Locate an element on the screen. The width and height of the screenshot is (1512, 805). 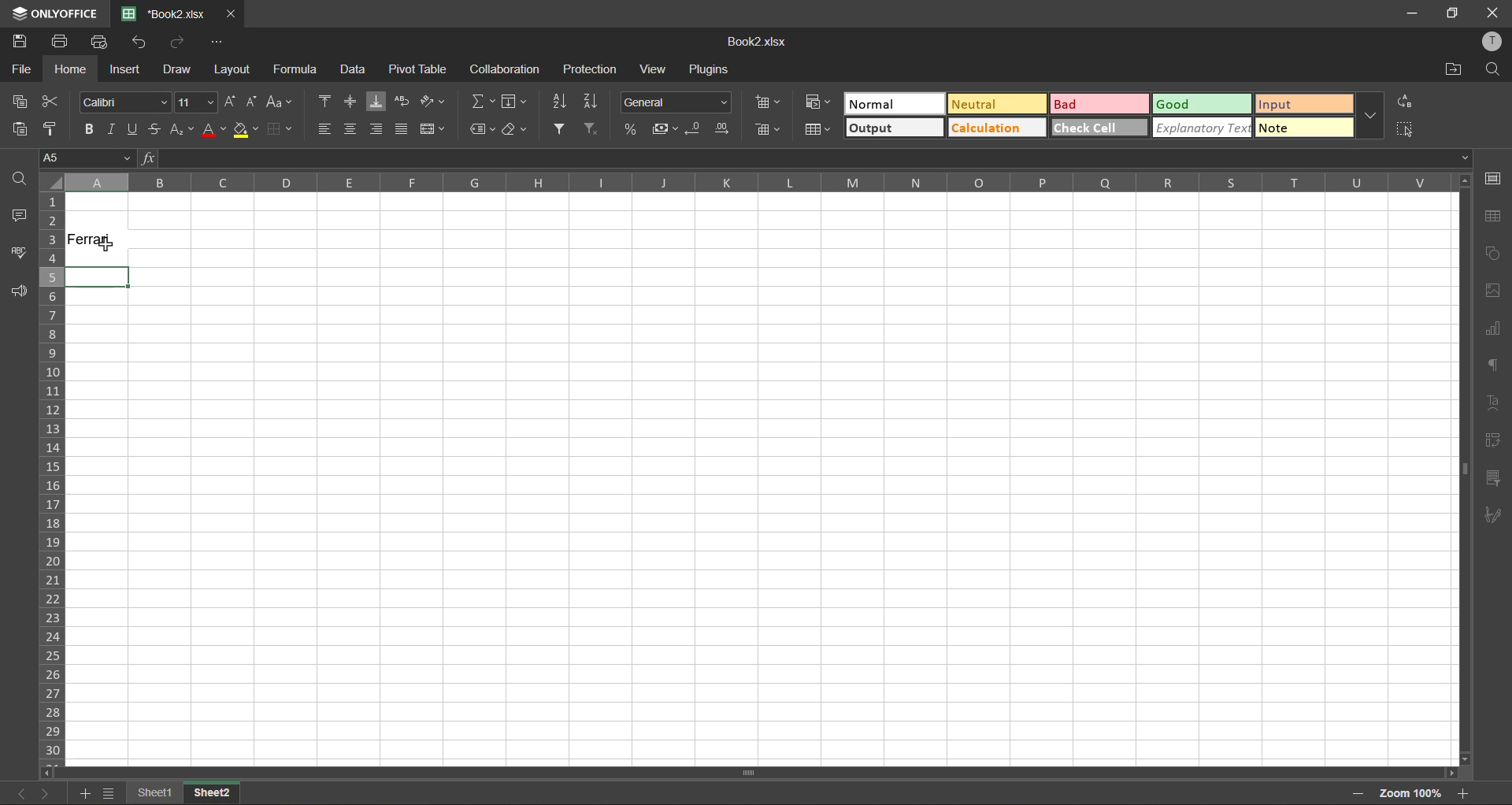
home is located at coordinates (71, 69).